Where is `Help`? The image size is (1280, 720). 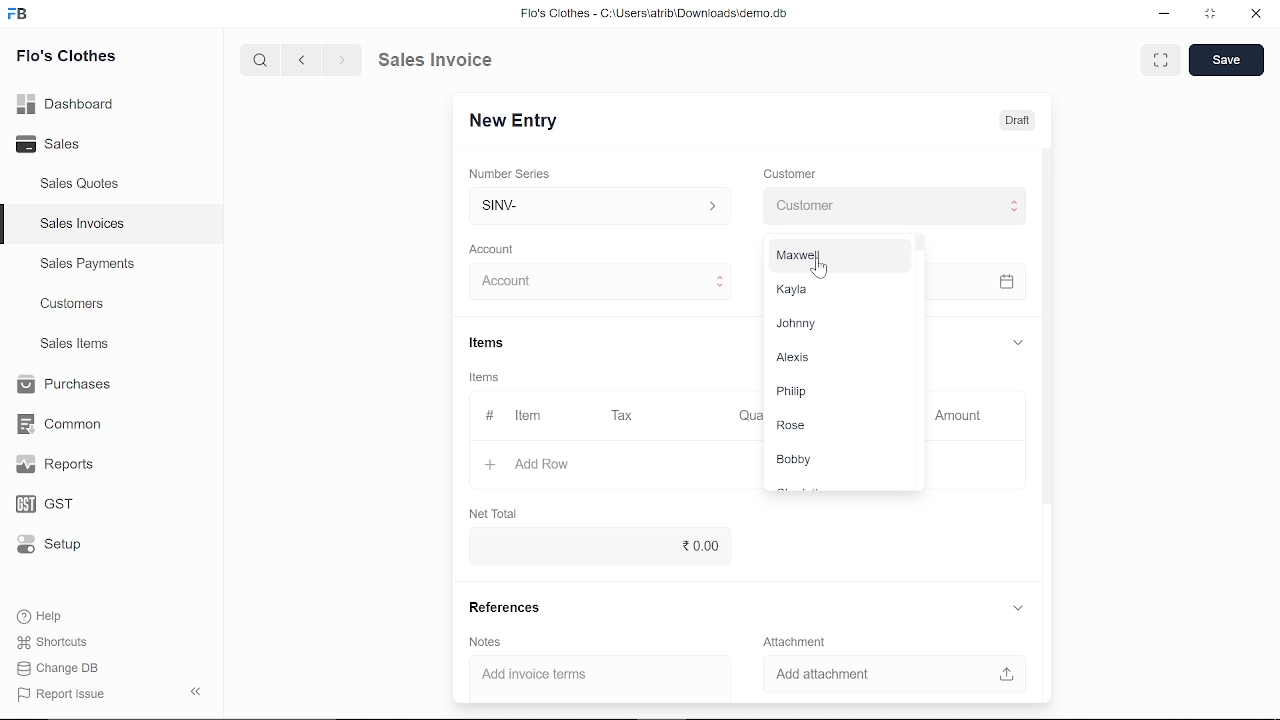 Help is located at coordinates (53, 616).